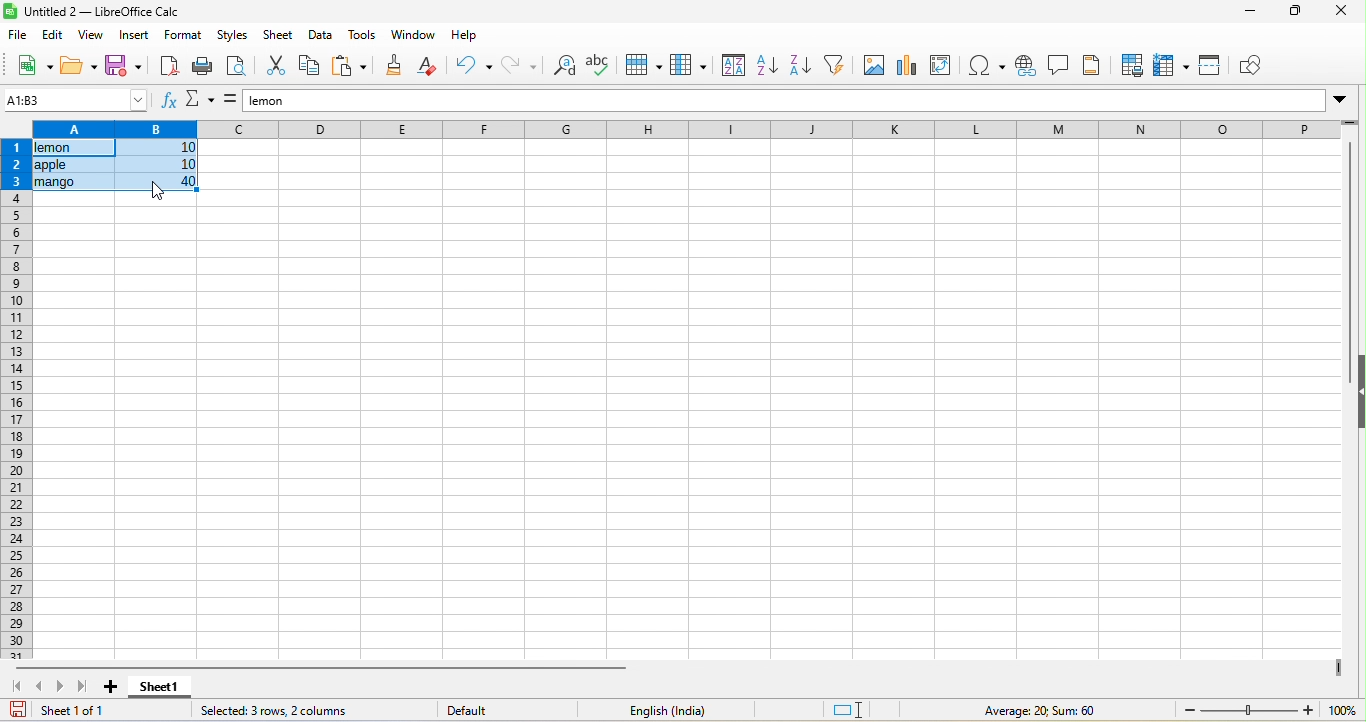 The width and height of the screenshot is (1366, 722). Describe the element at coordinates (137, 37) in the screenshot. I see `insert` at that location.